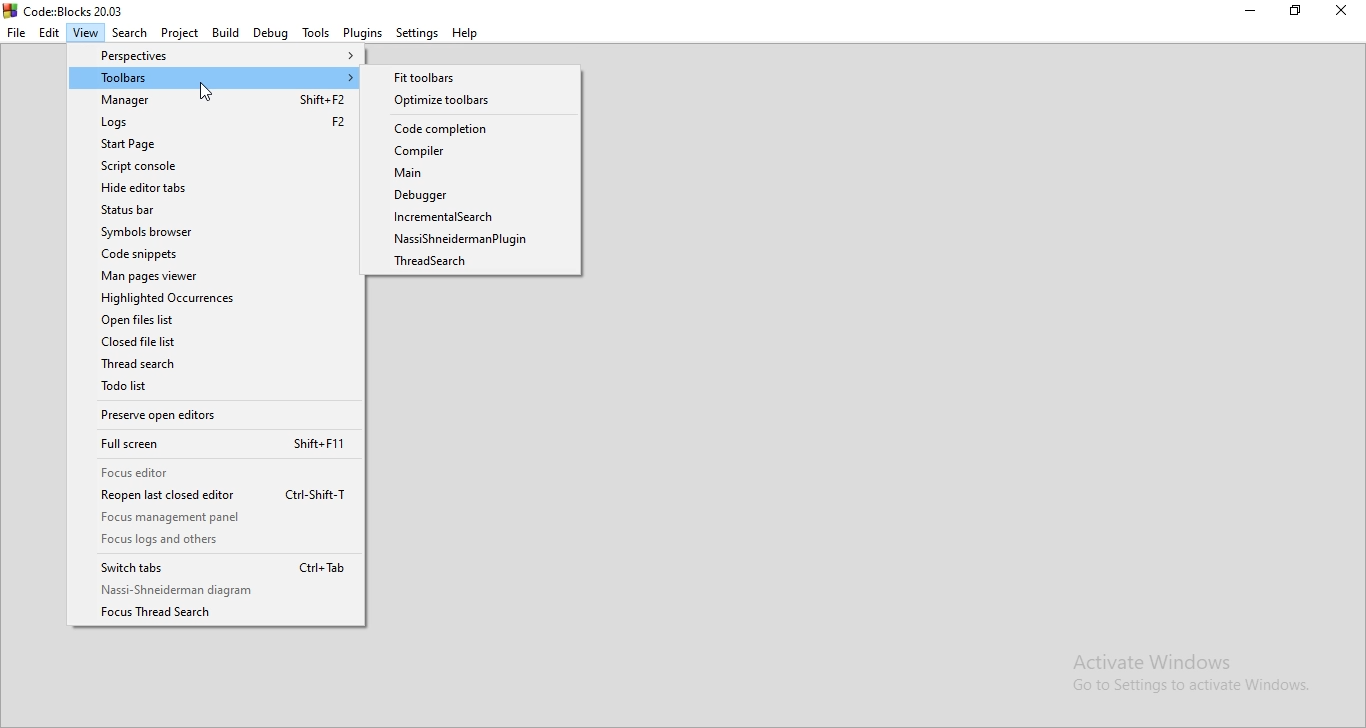 Image resolution: width=1366 pixels, height=728 pixels. I want to click on Switch tabs, so click(212, 566).